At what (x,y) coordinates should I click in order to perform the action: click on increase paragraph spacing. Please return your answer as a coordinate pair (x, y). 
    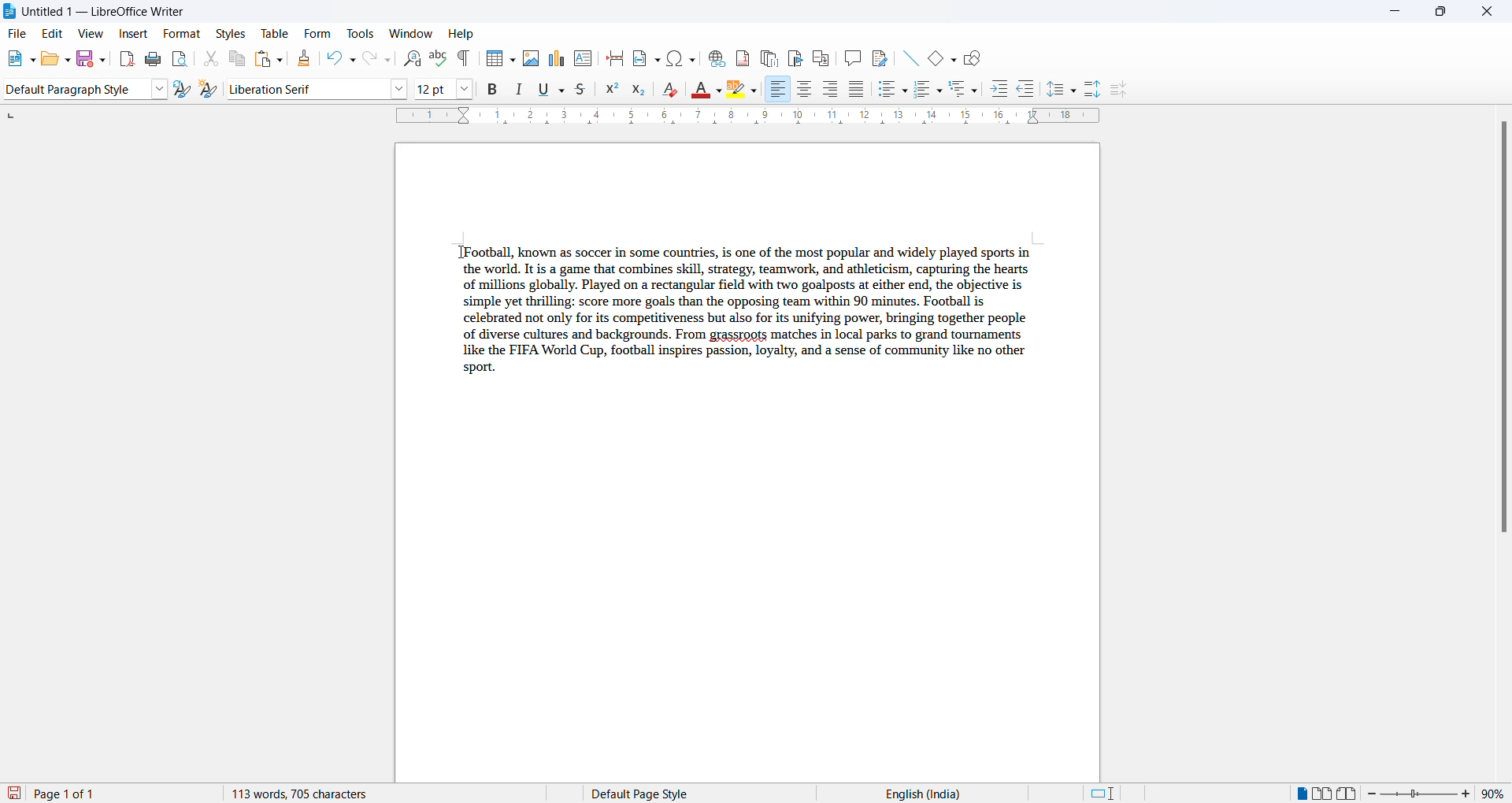
    Looking at the image, I should click on (1094, 90).